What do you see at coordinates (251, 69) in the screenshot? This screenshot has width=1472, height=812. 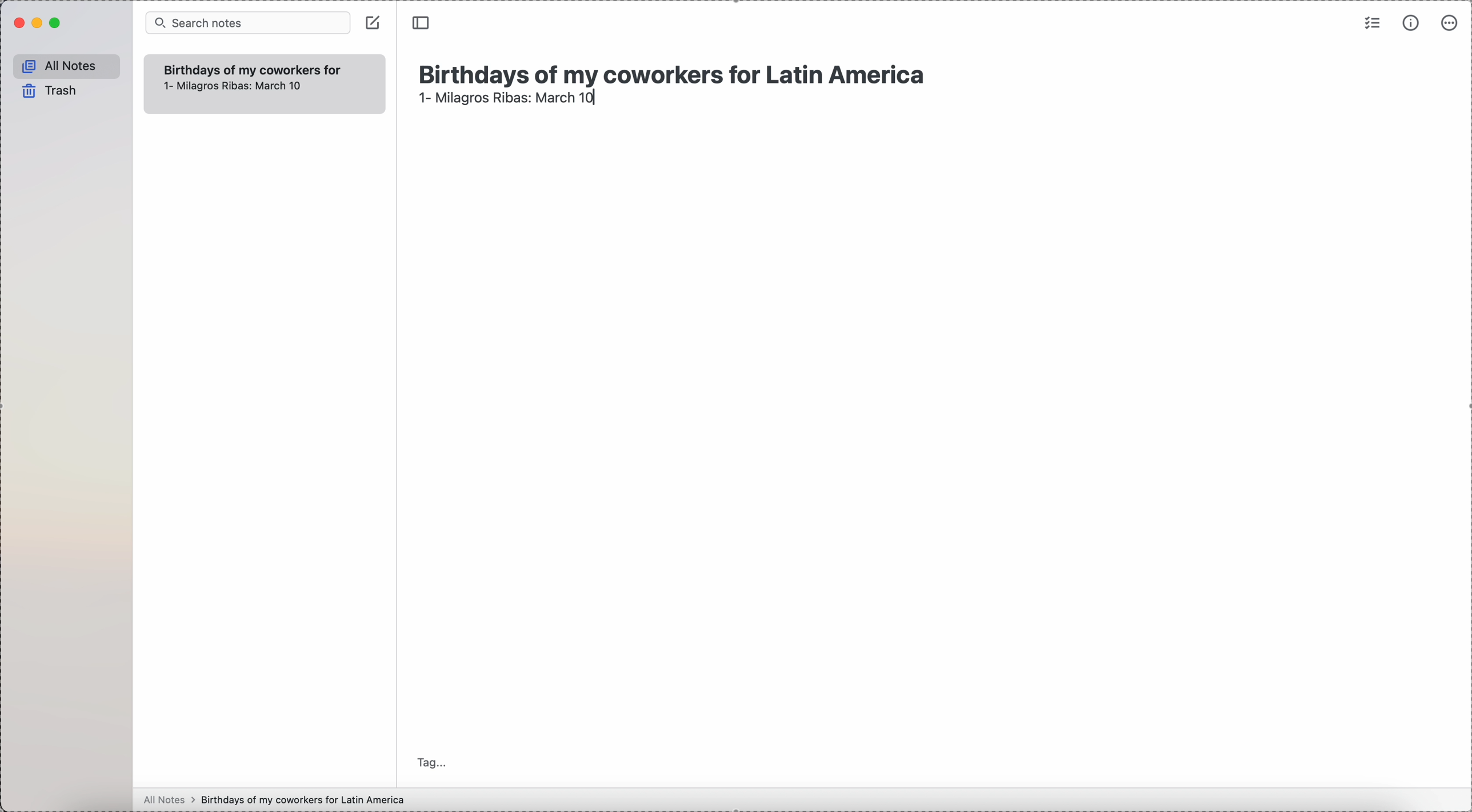 I see `Birthdays of my coworkers for Latin America` at bounding box center [251, 69].